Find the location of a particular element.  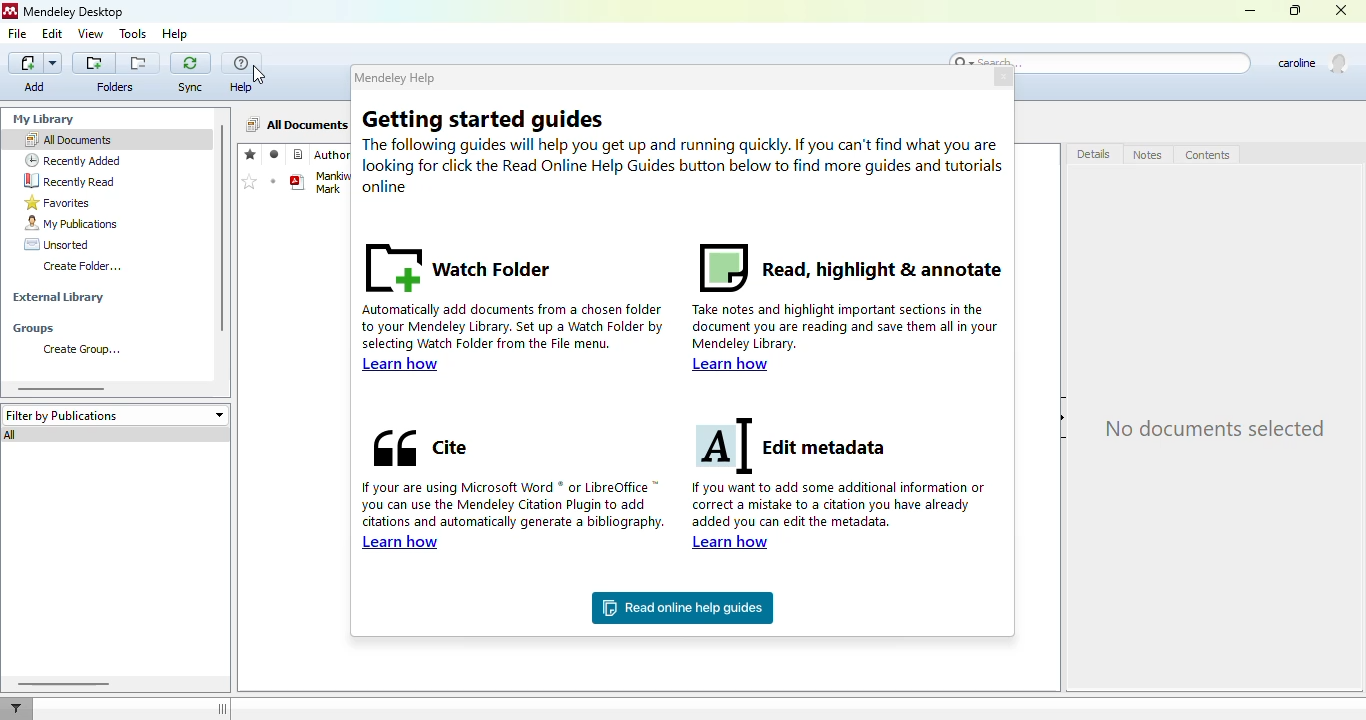

help is located at coordinates (242, 74).